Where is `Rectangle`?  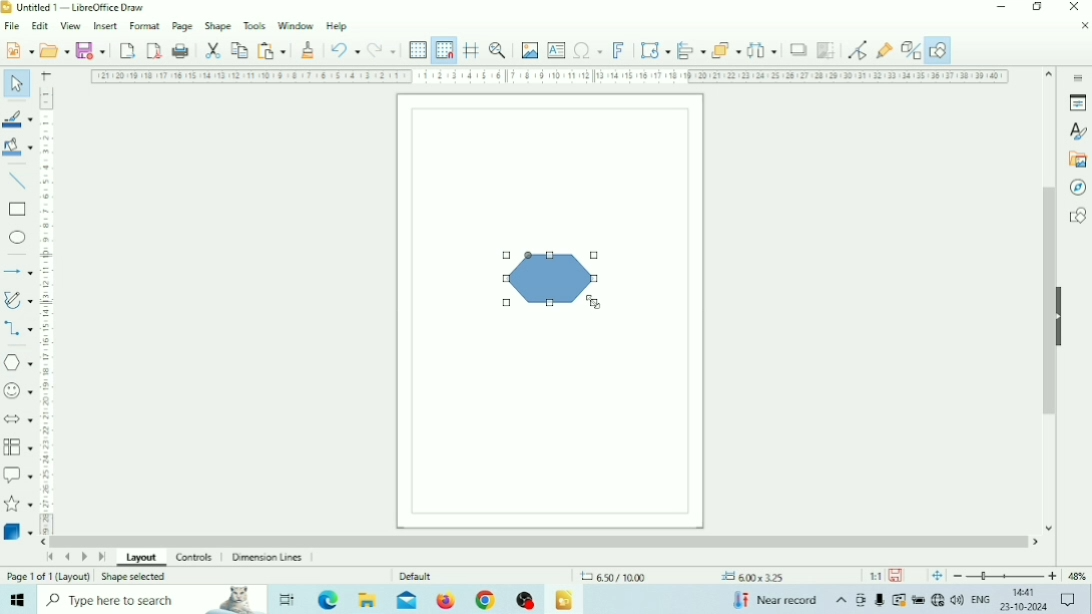
Rectangle is located at coordinates (17, 210).